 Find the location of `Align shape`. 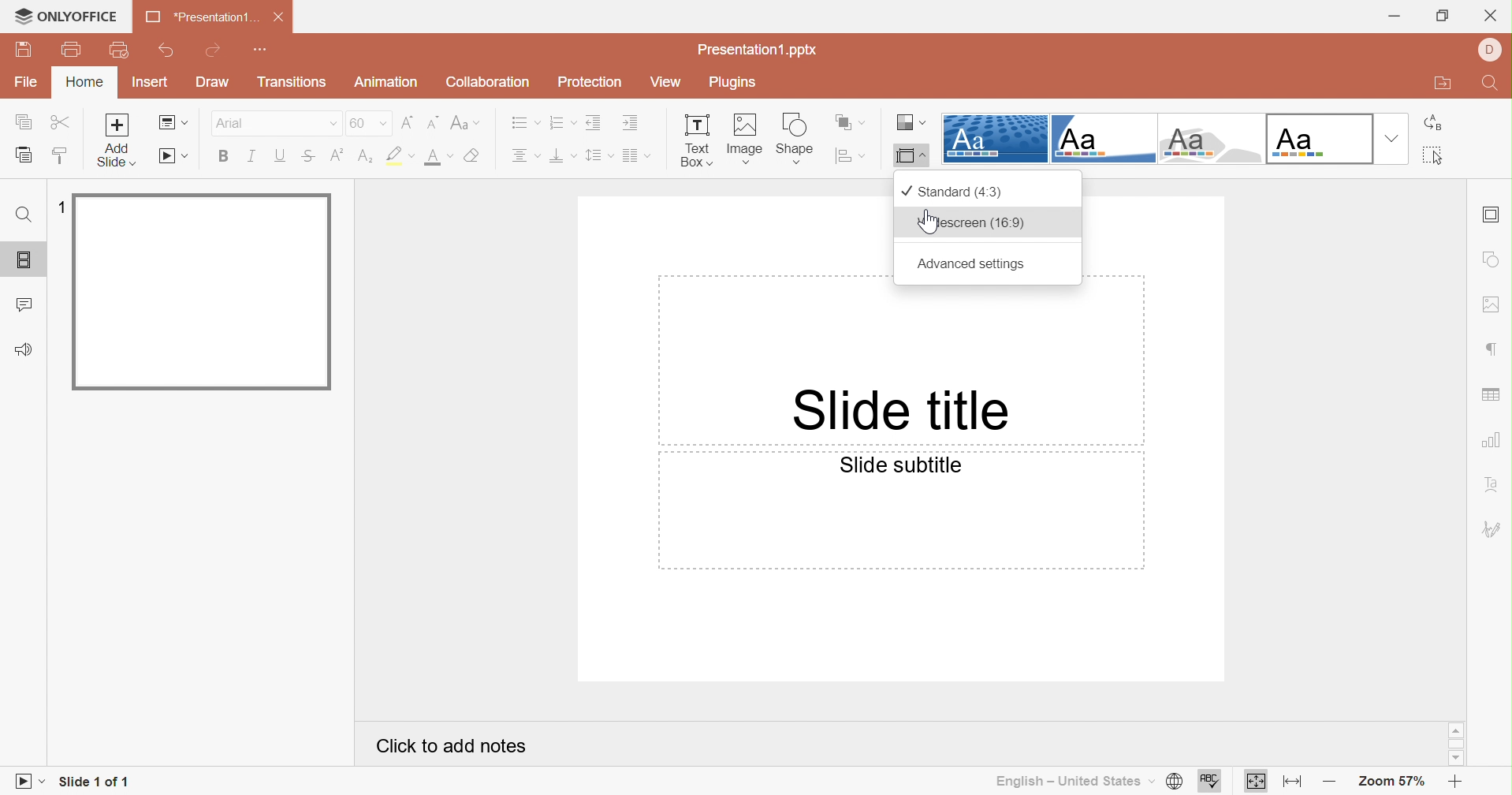

Align shape is located at coordinates (852, 156).